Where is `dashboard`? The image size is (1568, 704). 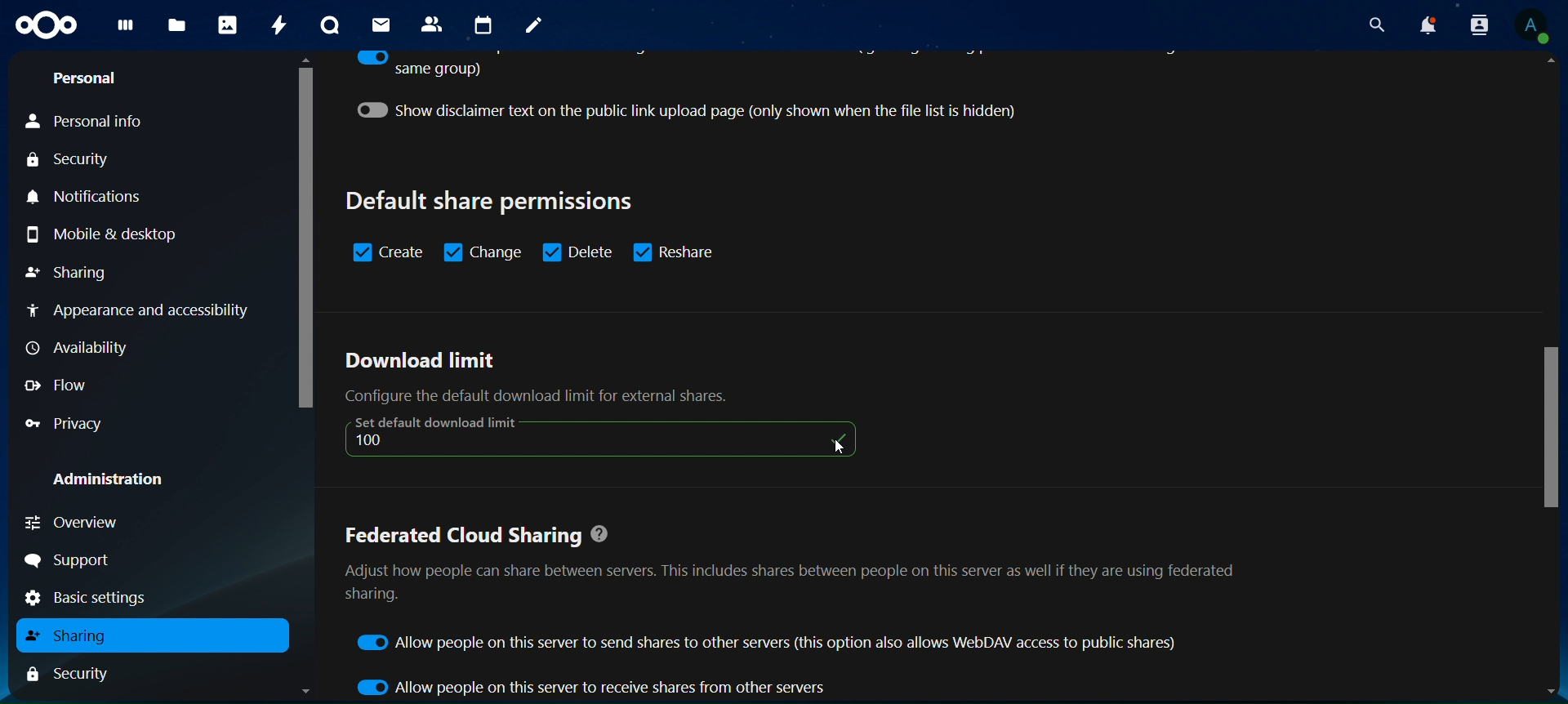
dashboard is located at coordinates (126, 29).